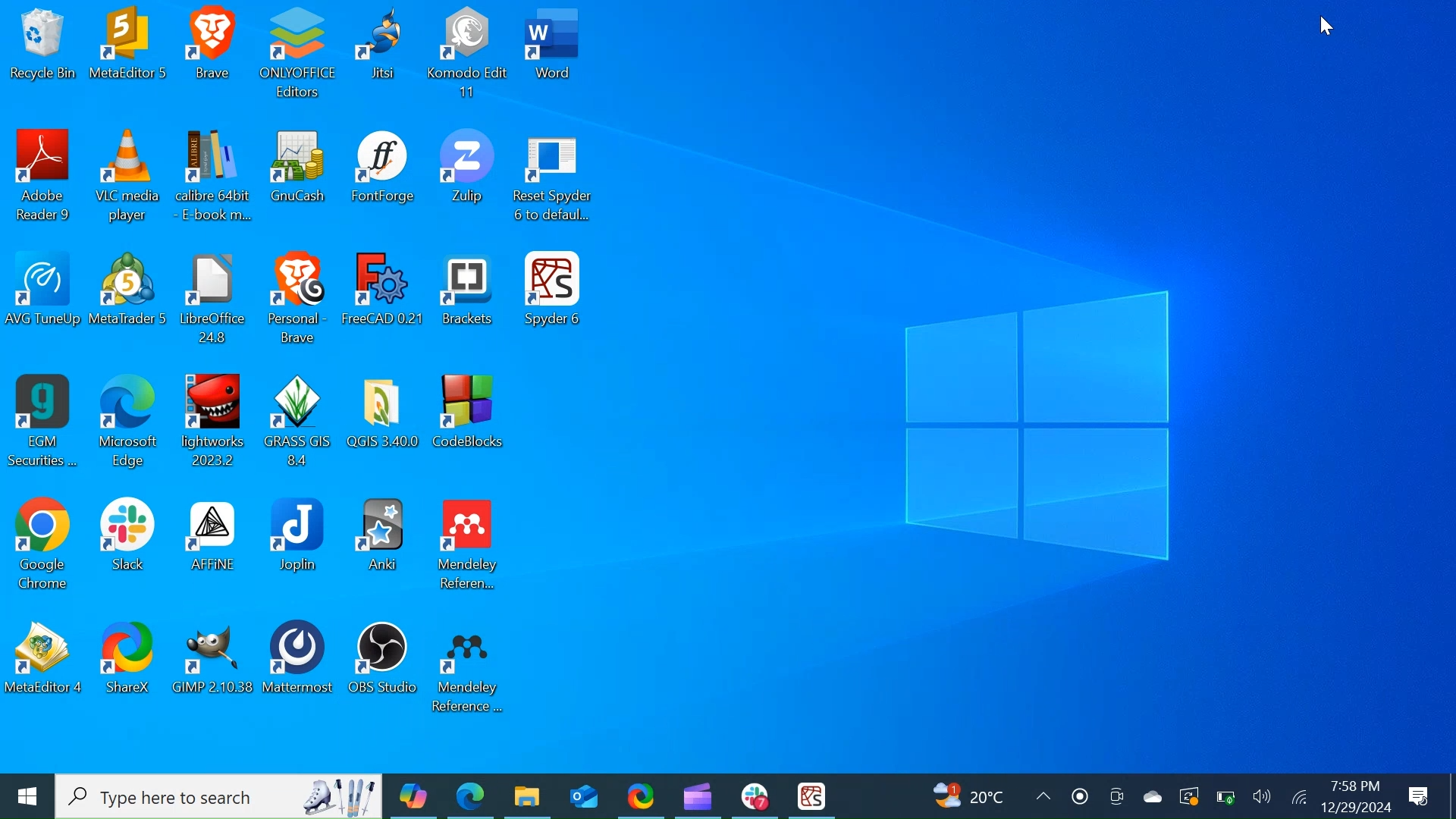 The height and width of the screenshot is (819, 1456). Describe the element at coordinates (215, 663) in the screenshot. I see `GIMP Desktop icon` at that location.